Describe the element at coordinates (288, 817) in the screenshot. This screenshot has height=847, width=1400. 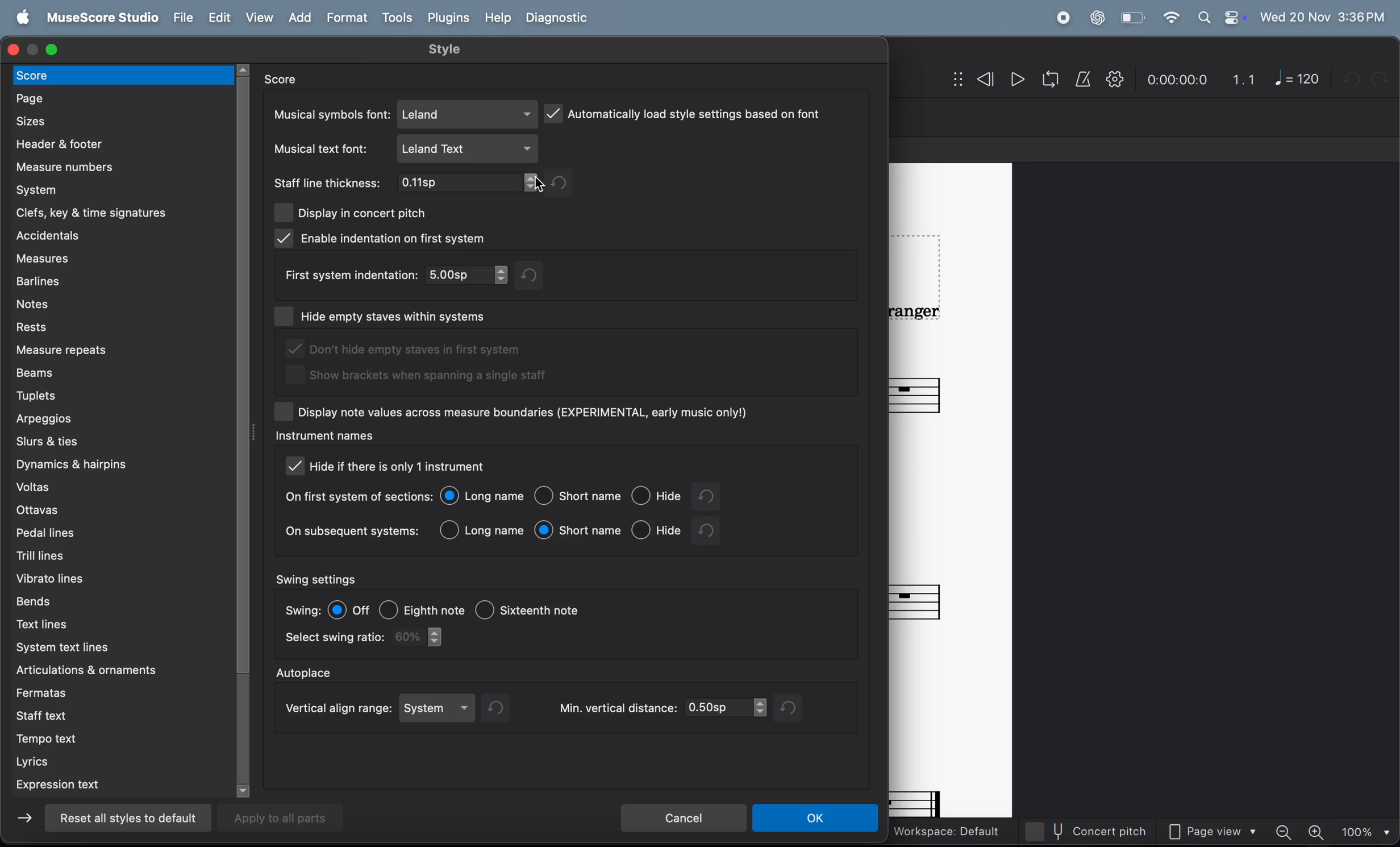
I see `apply to aall parts` at that location.